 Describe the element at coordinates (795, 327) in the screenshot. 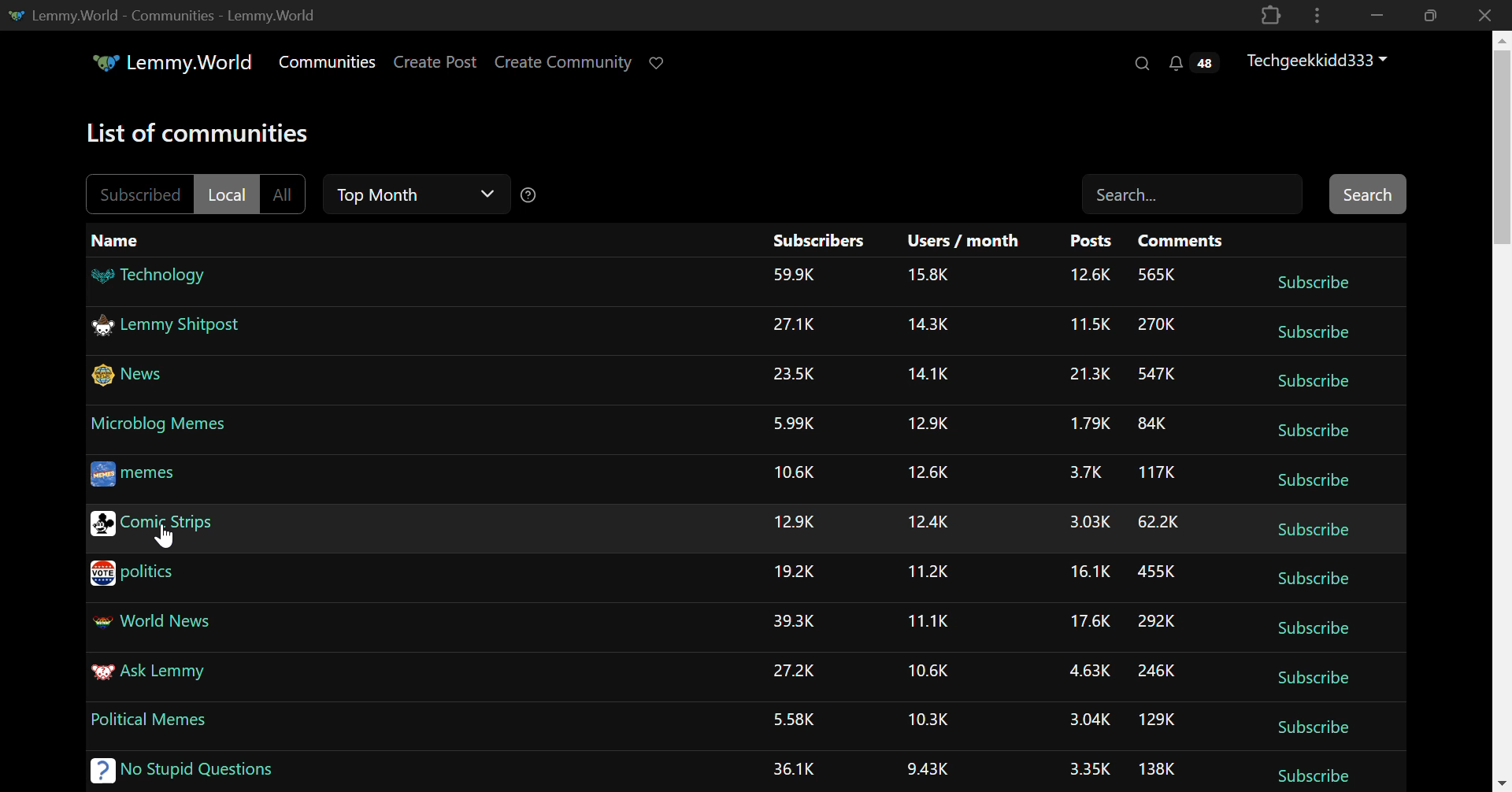

I see `27.1K` at that location.